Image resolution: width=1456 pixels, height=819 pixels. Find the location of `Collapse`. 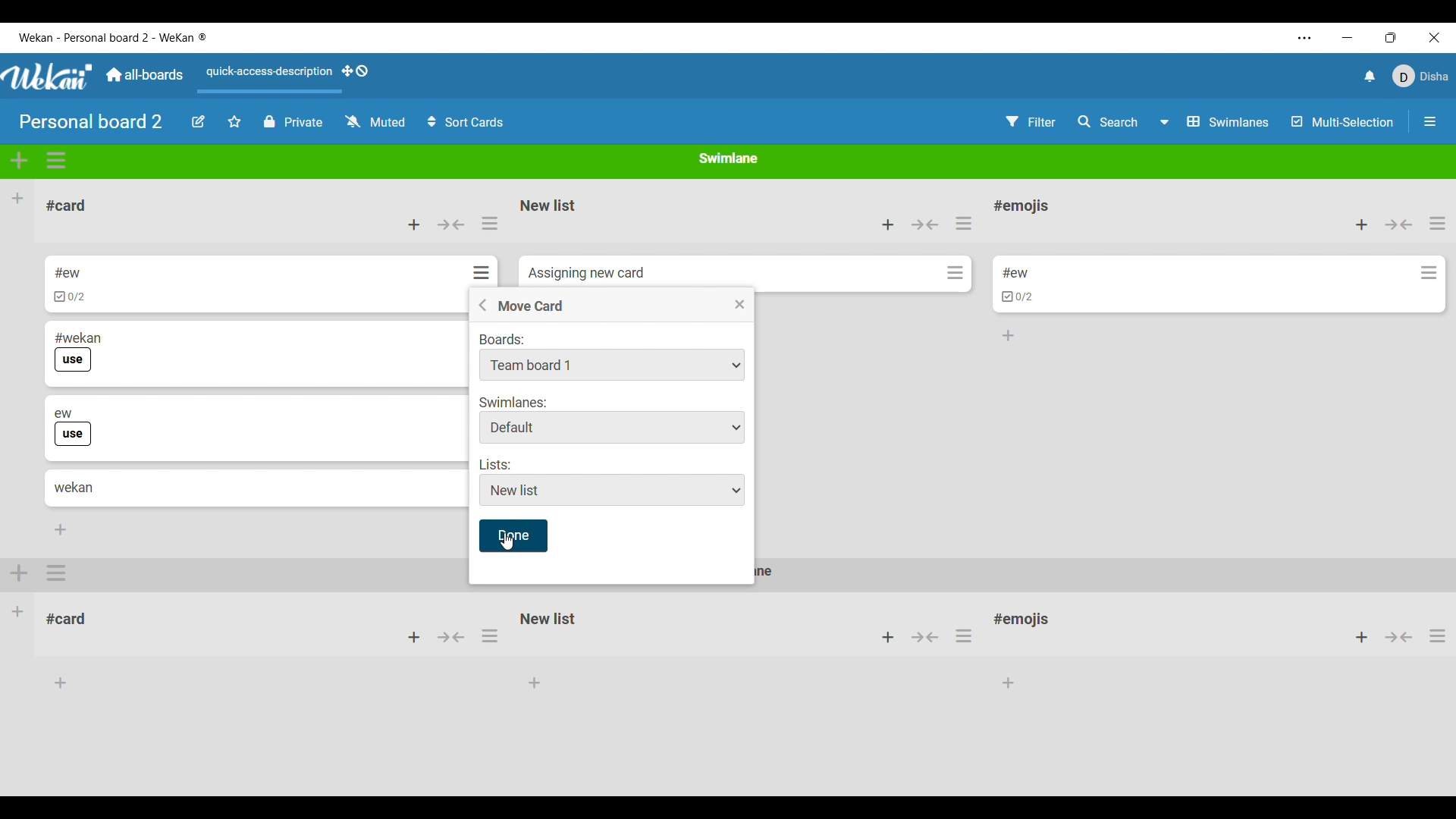

Collapse is located at coordinates (925, 224).